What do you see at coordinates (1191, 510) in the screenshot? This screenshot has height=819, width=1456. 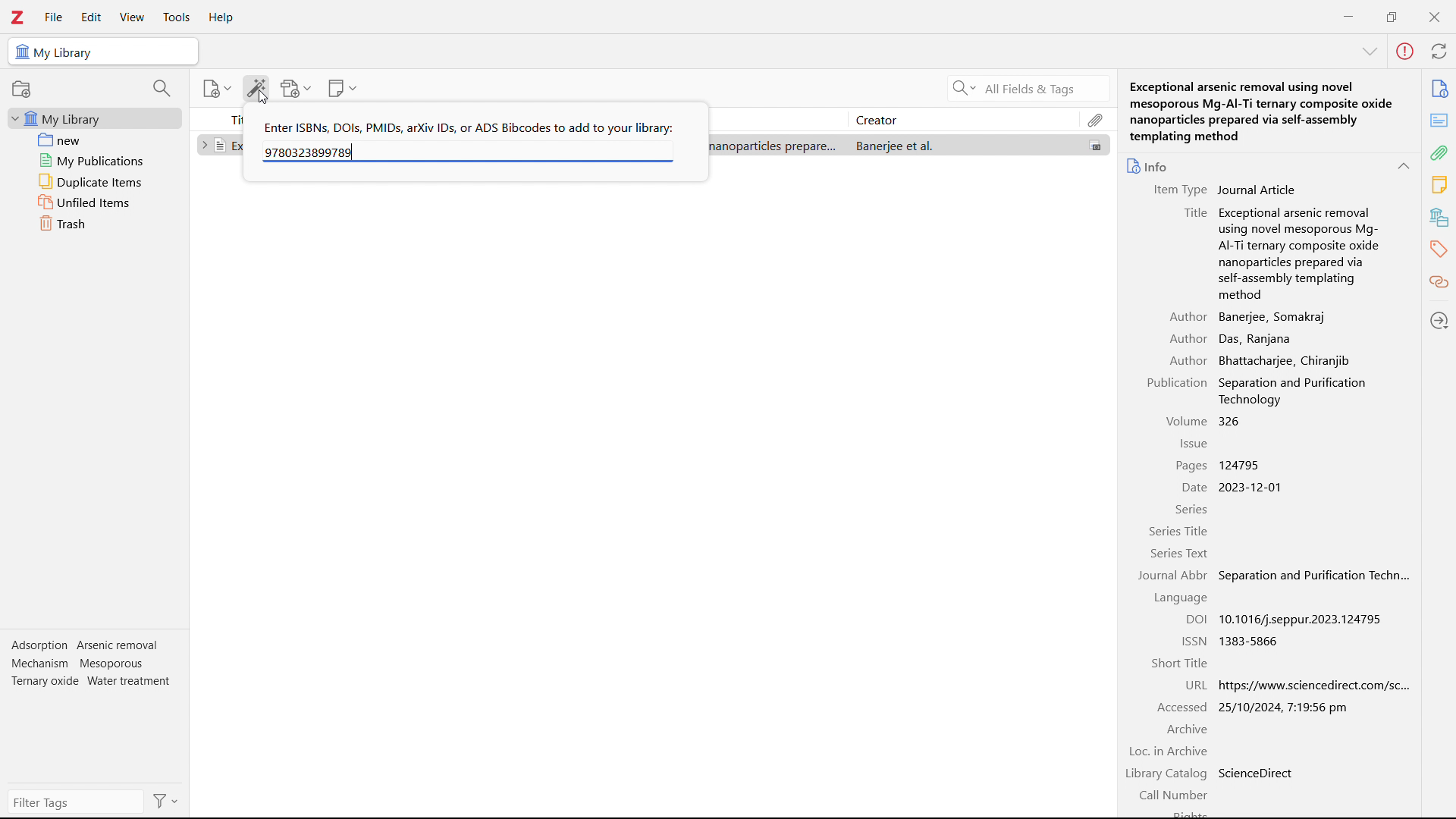 I see `Series` at bounding box center [1191, 510].